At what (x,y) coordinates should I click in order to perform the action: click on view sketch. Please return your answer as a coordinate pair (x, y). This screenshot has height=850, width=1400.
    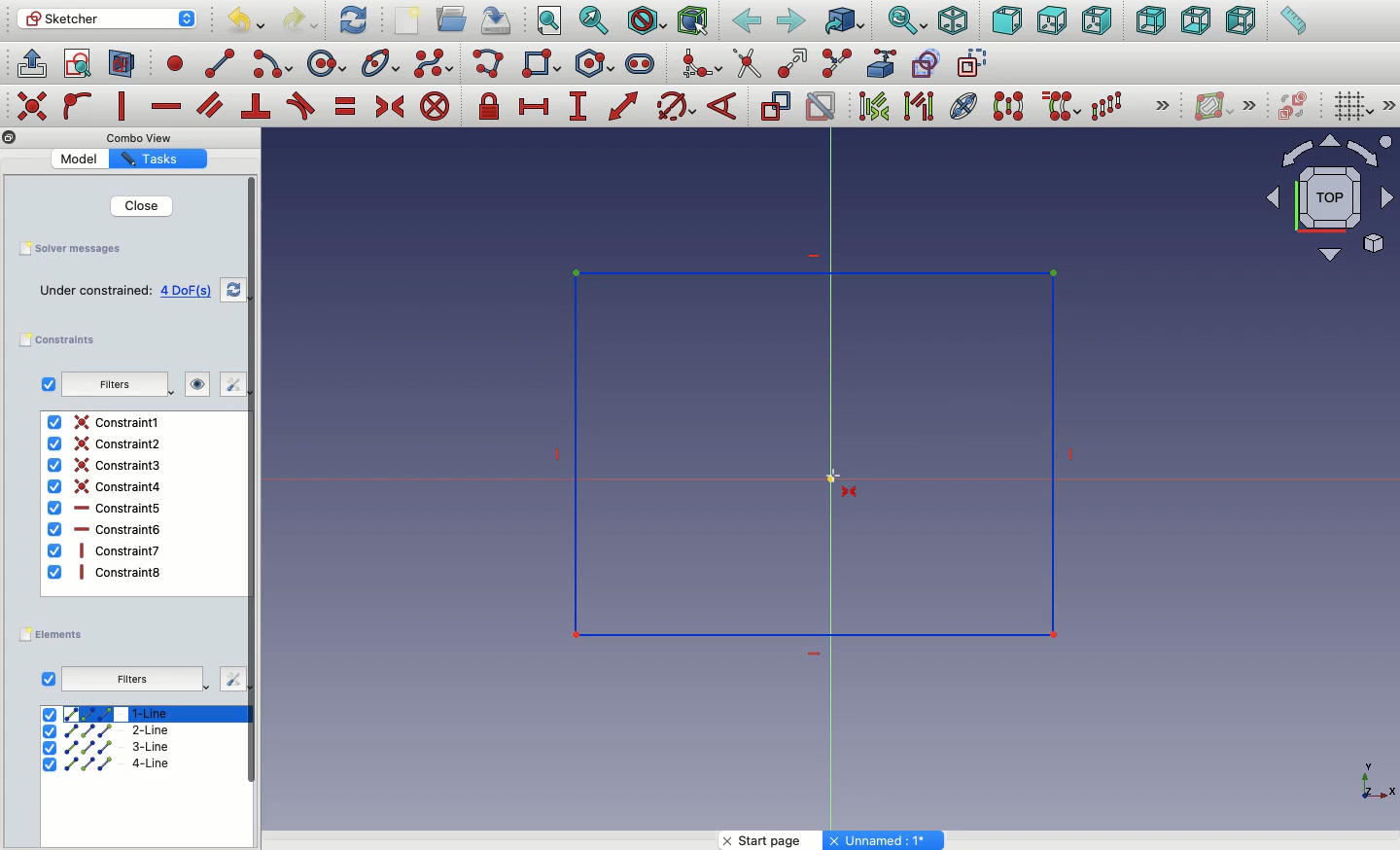
    Looking at the image, I should click on (81, 65).